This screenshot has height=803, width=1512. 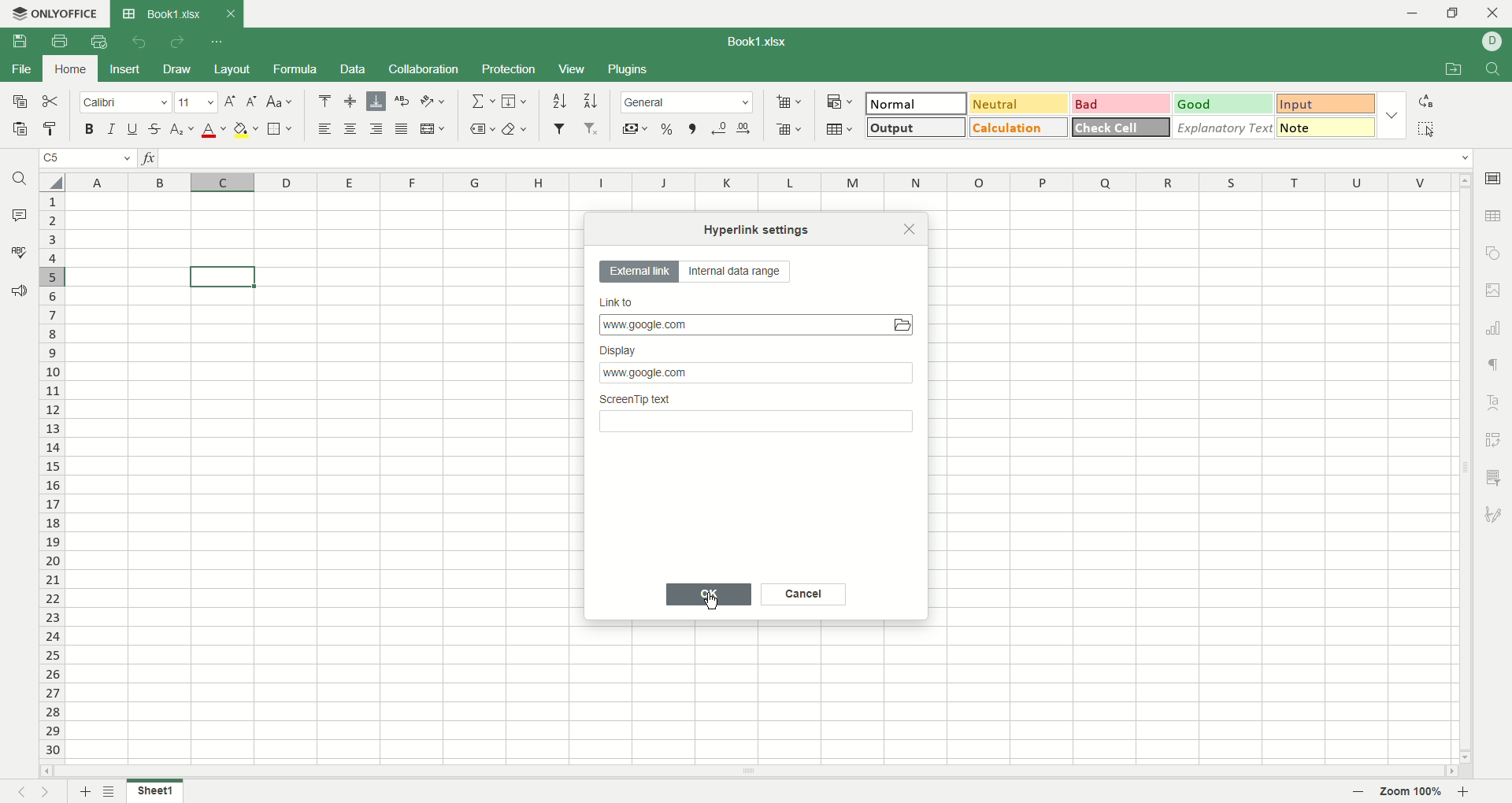 What do you see at coordinates (20, 216) in the screenshot?
I see `comments` at bounding box center [20, 216].